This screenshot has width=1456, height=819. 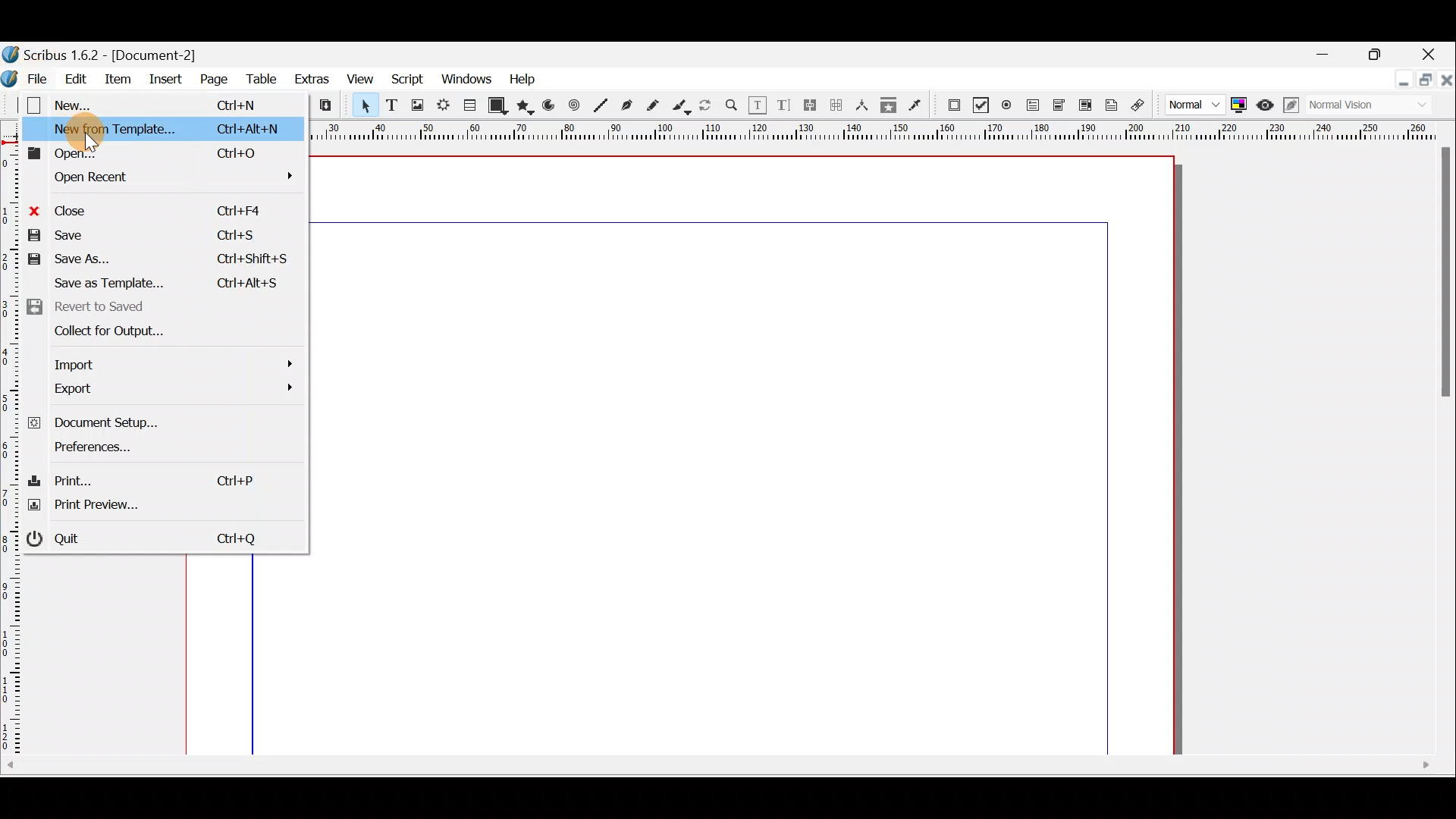 What do you see at coordinates (469, 81) in the screenshot?
I see `Windows` at bounding box center [469, 81].